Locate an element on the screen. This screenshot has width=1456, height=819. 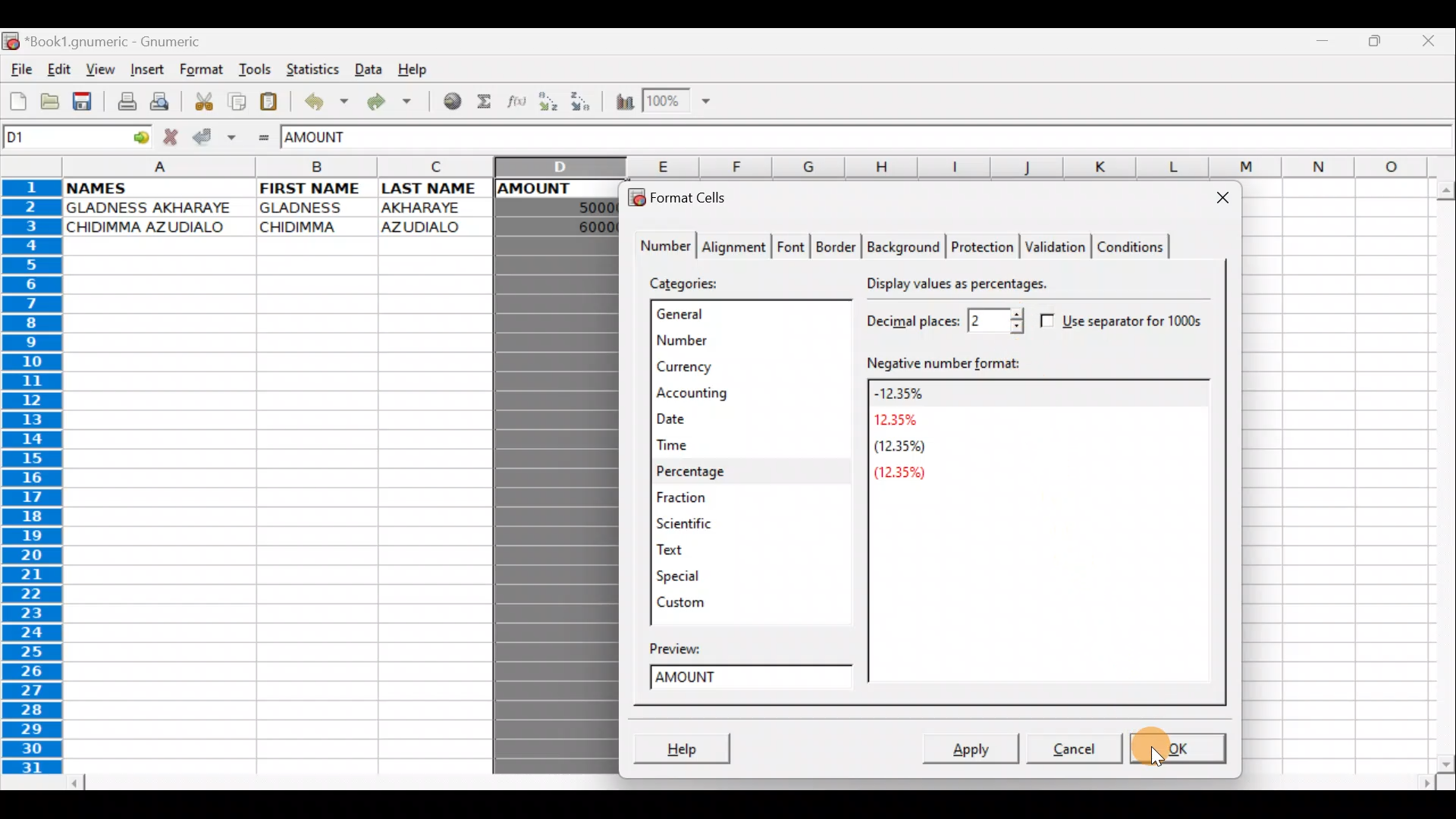
Print file is located at coordinates (121, 100).